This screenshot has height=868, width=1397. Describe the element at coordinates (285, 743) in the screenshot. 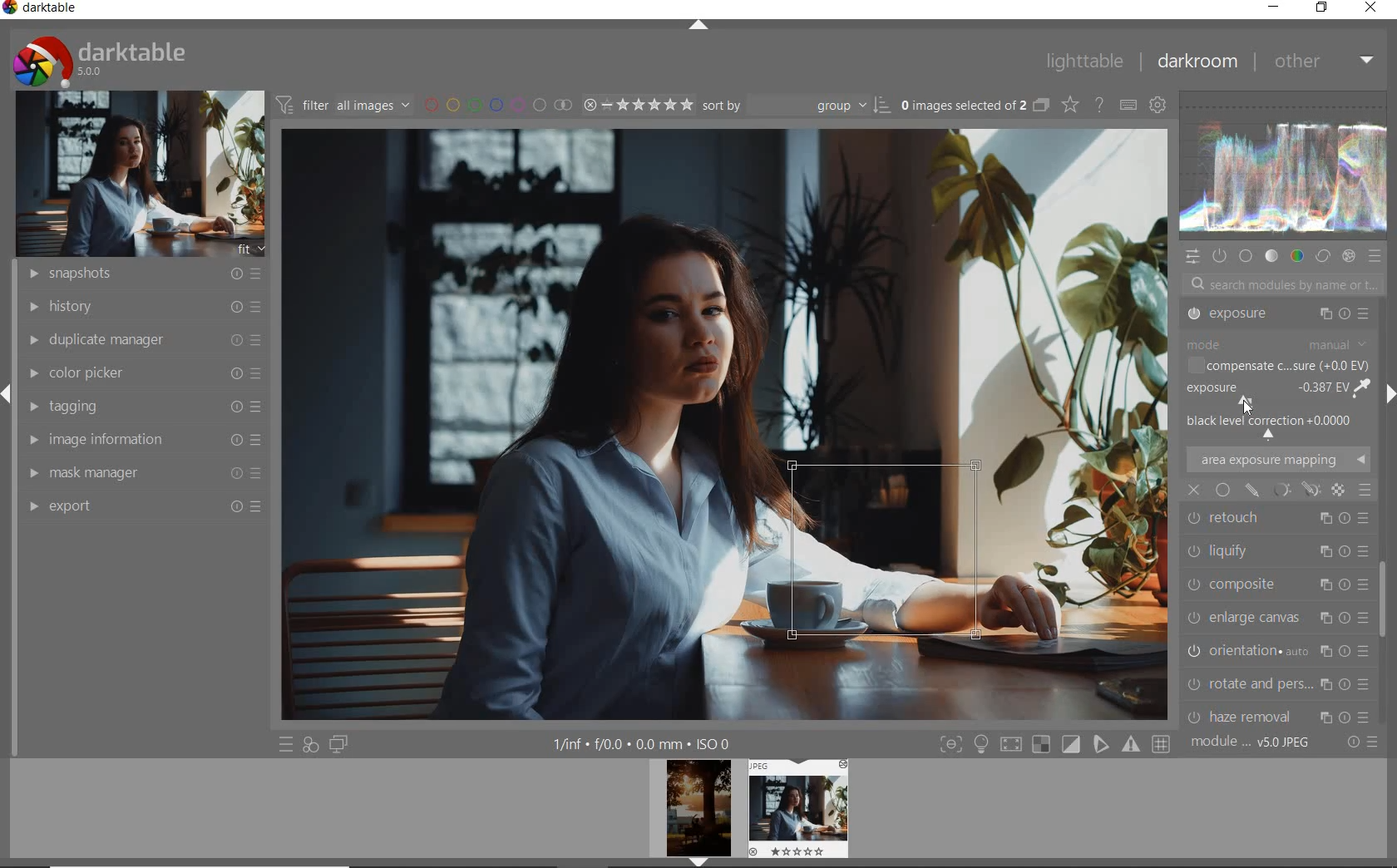

I see `QUICK ACCESS TO PRESET` at that location.